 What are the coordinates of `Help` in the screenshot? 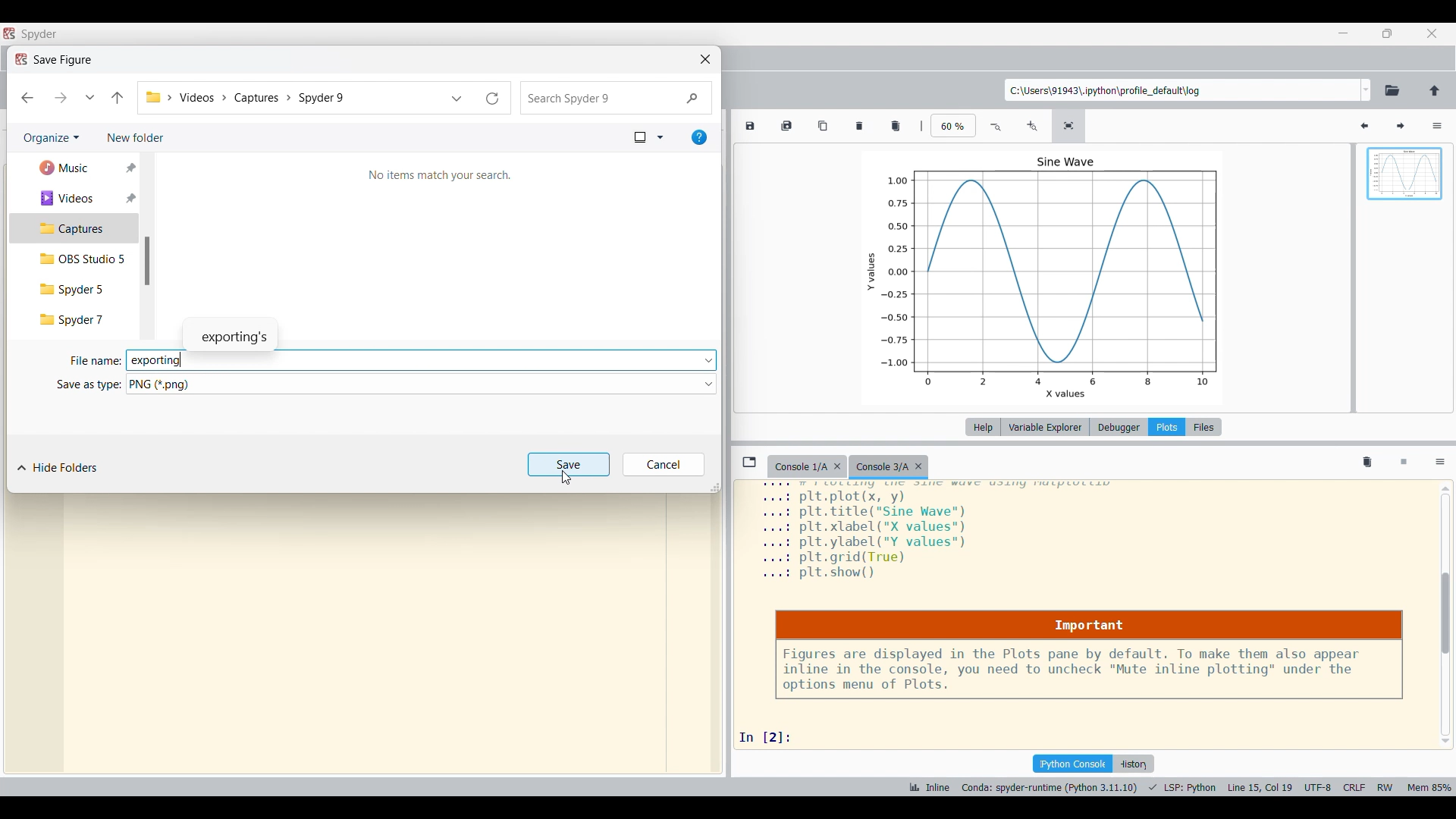 It's located at (983, 427).